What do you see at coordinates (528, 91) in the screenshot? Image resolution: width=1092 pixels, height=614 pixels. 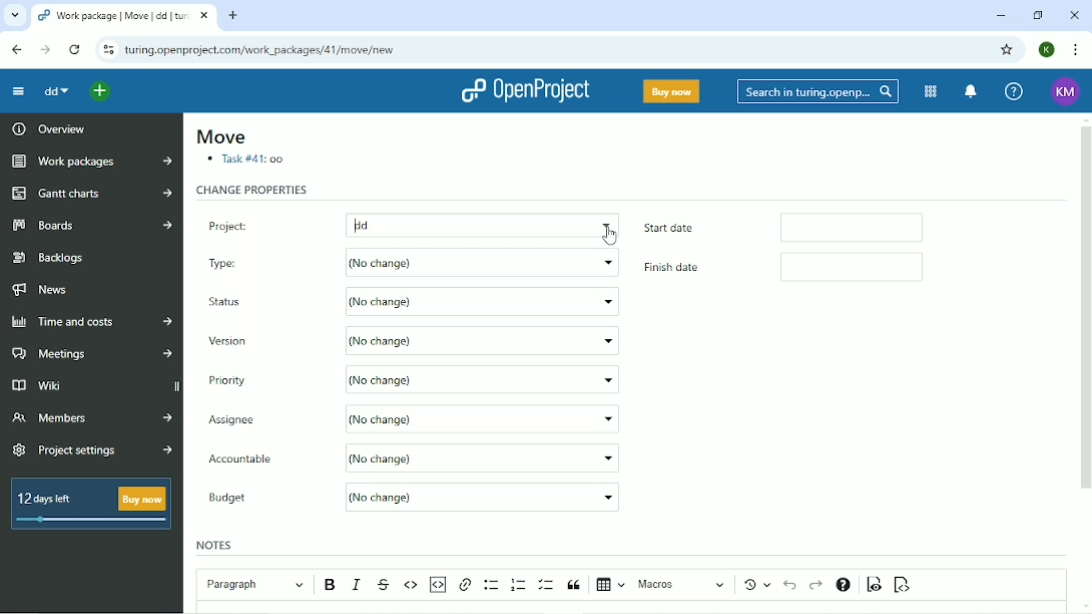 I see `OpenProject` at bounding box center [528, 91].